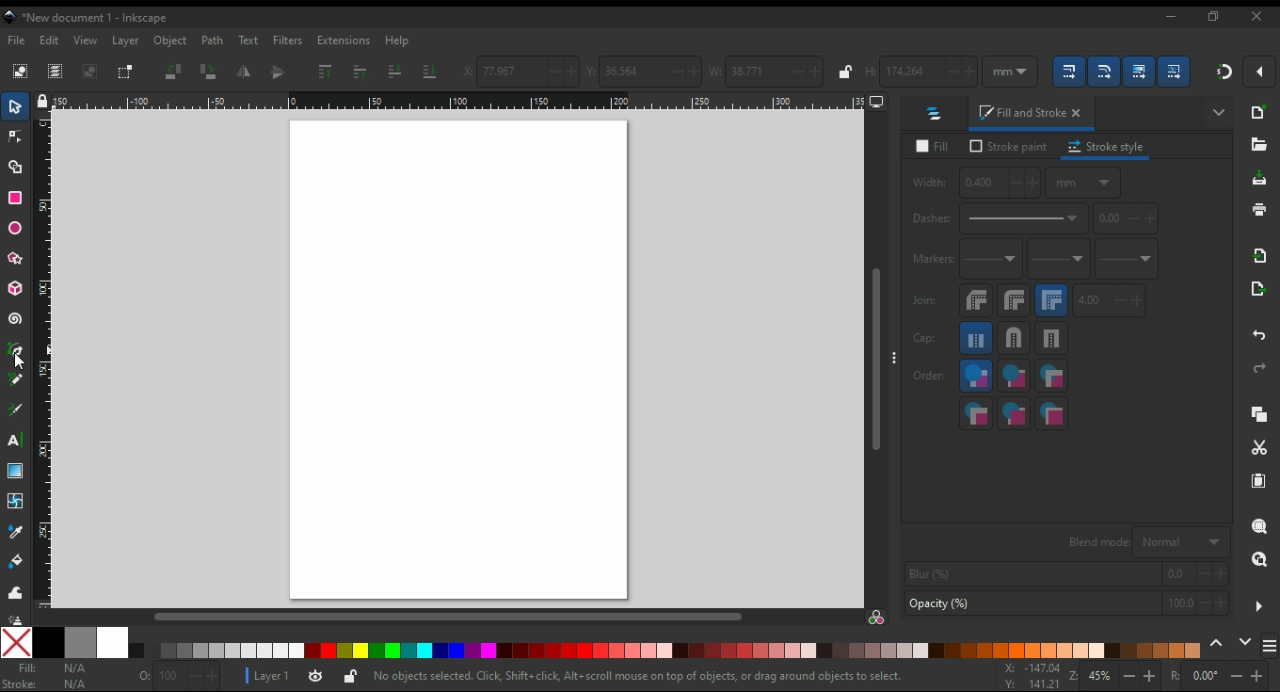 Image resolution: width=1280 pixels, height=692 pixels. Describe the element at coordinates (17, 168) in the screenshot. I see `shape builder tool` at that location.